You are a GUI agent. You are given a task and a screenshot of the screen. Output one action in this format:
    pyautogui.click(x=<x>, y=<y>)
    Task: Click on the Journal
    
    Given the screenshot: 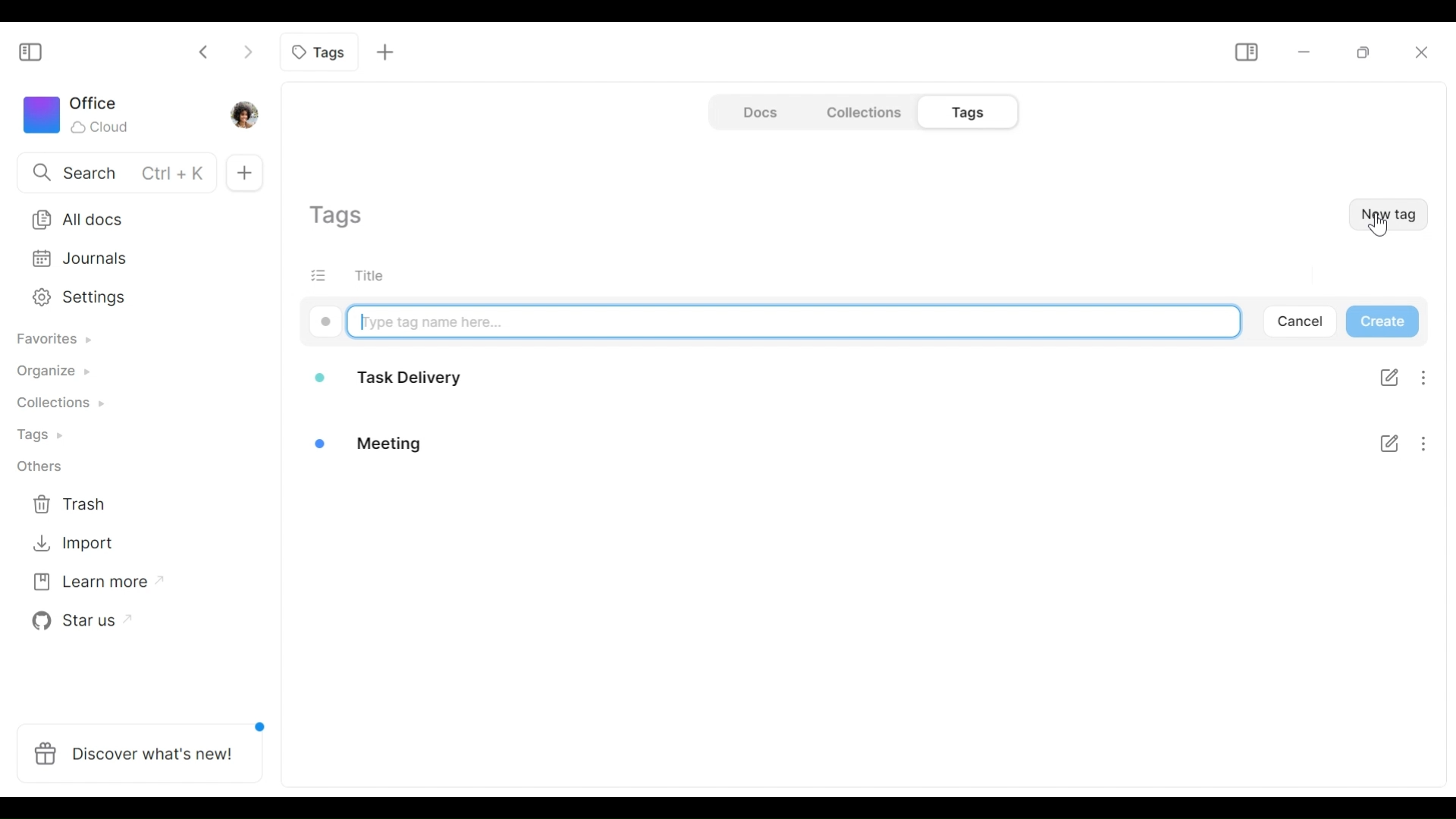 What is the action you would take?
    pyautogui.click(x=133, y=262)
    